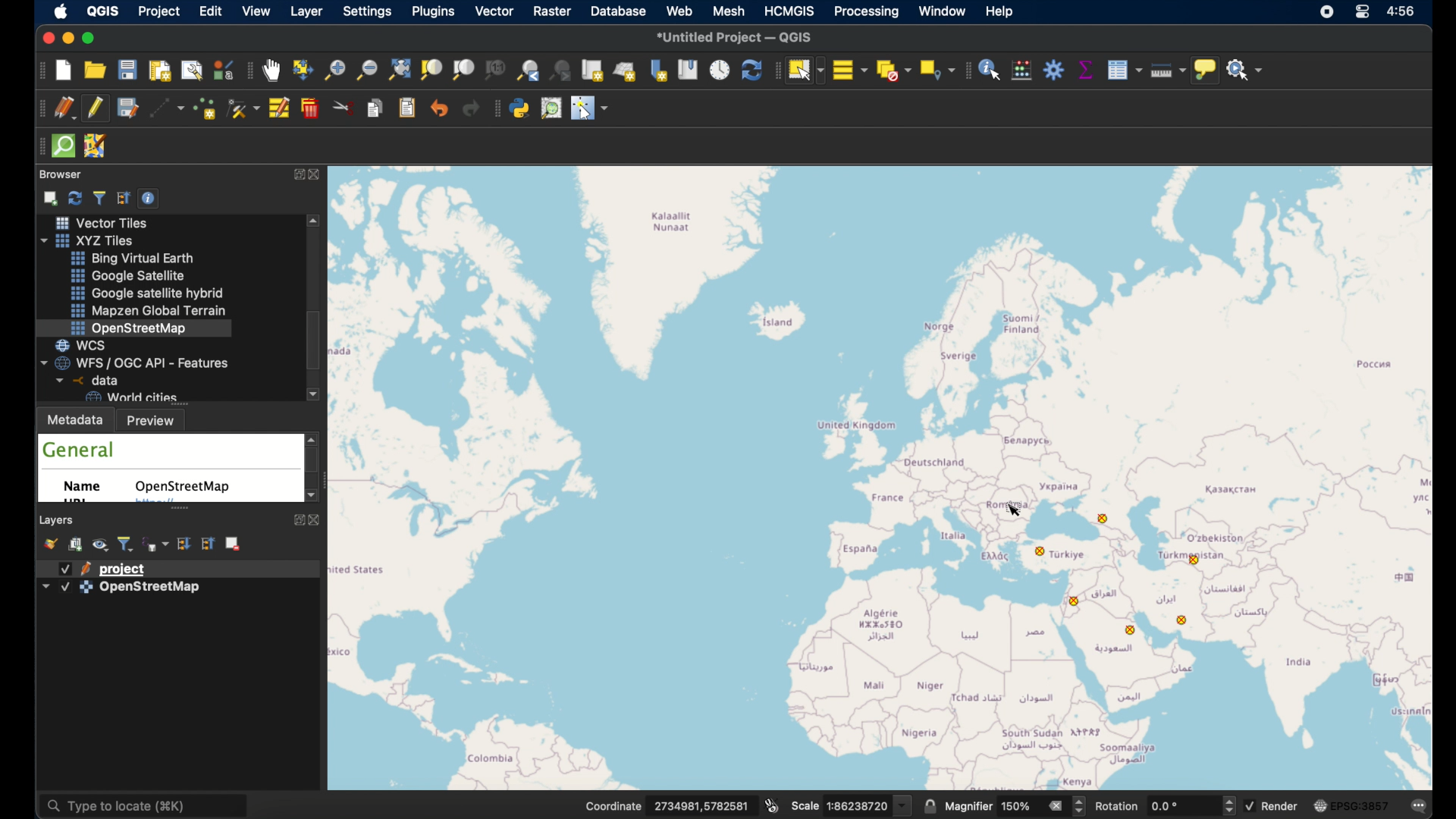  Describe the element at coordinates (169, 110) in the screenshot. I see `digitize with segment` at that location.